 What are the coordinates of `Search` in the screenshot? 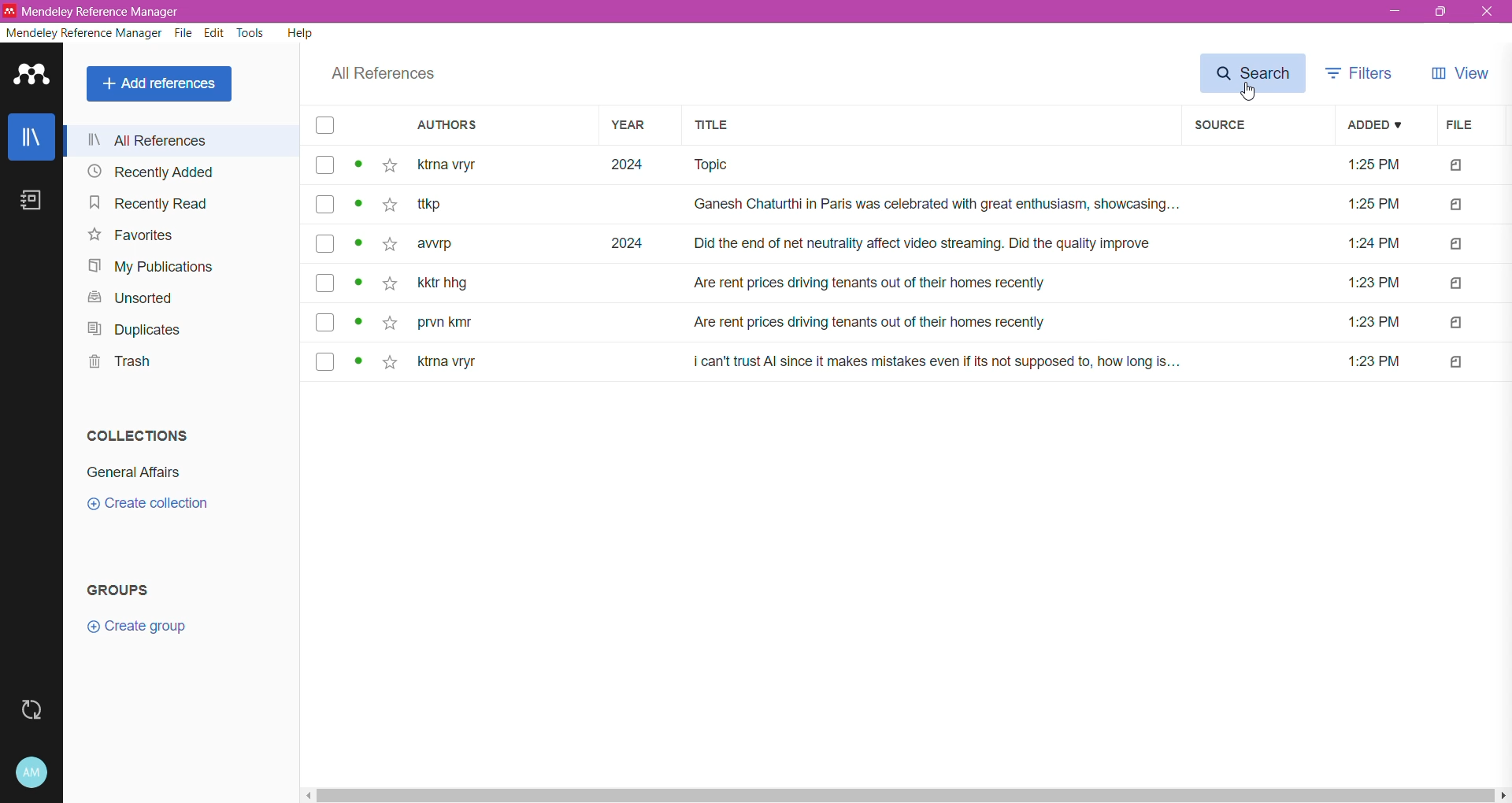 It's located at (1254, 73).